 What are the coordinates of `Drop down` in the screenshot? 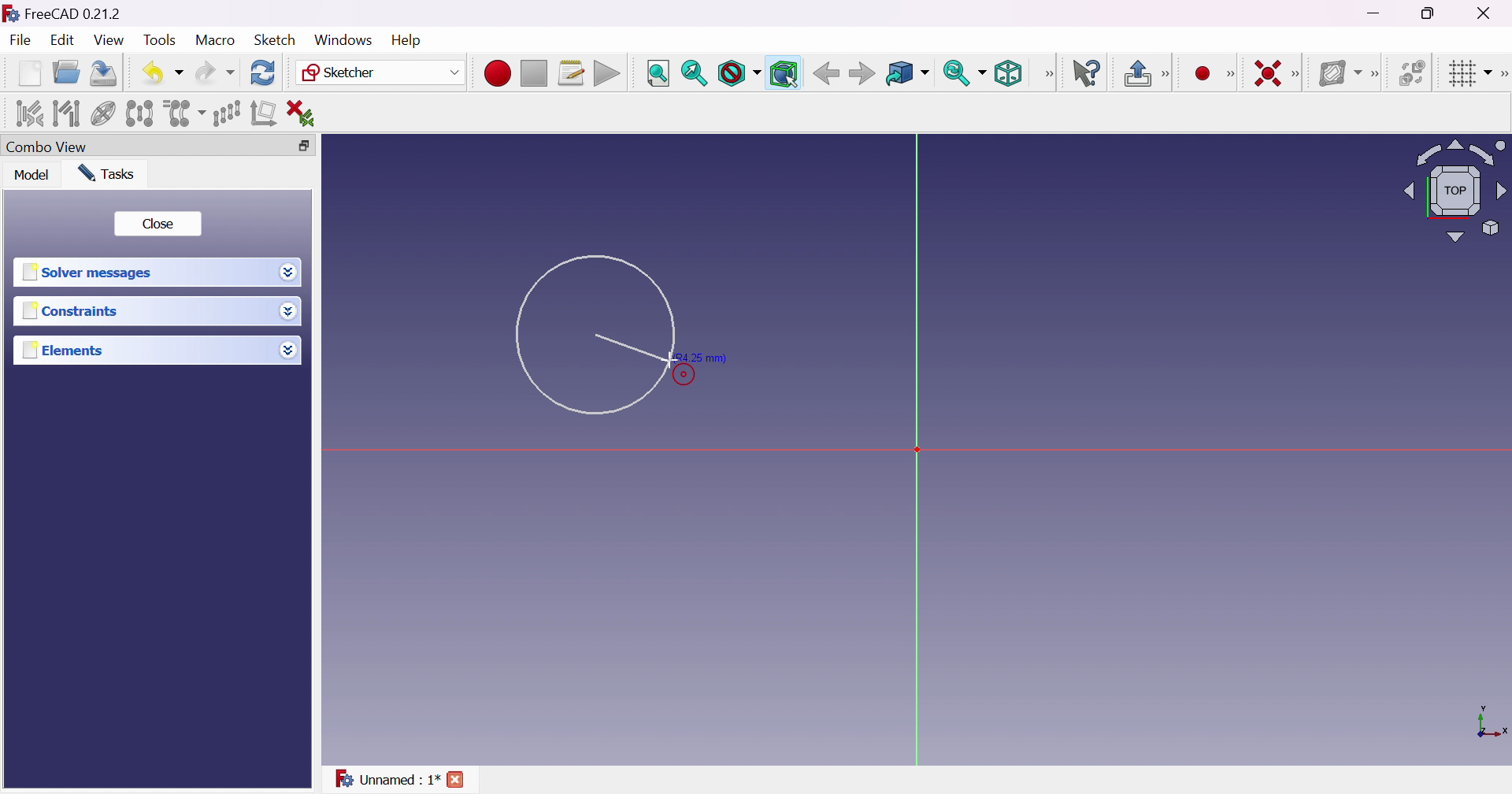 It's located at (288, 350).